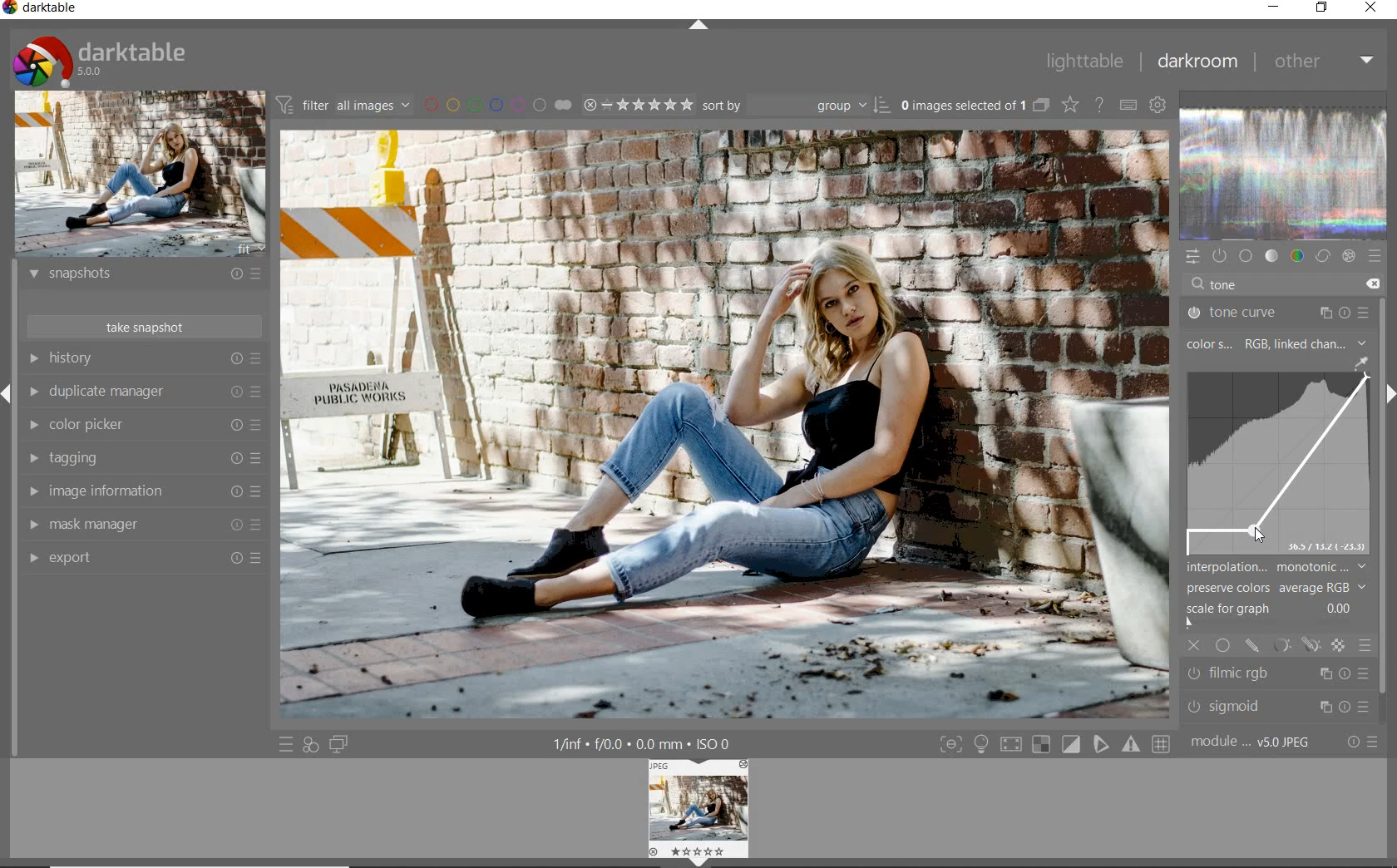 The height and width of the screenshot is (868, 1397). What do you see at coordinates (1269, 614) in the screenshot?
I see `scale for graph` at bounding box center [1269, 614].